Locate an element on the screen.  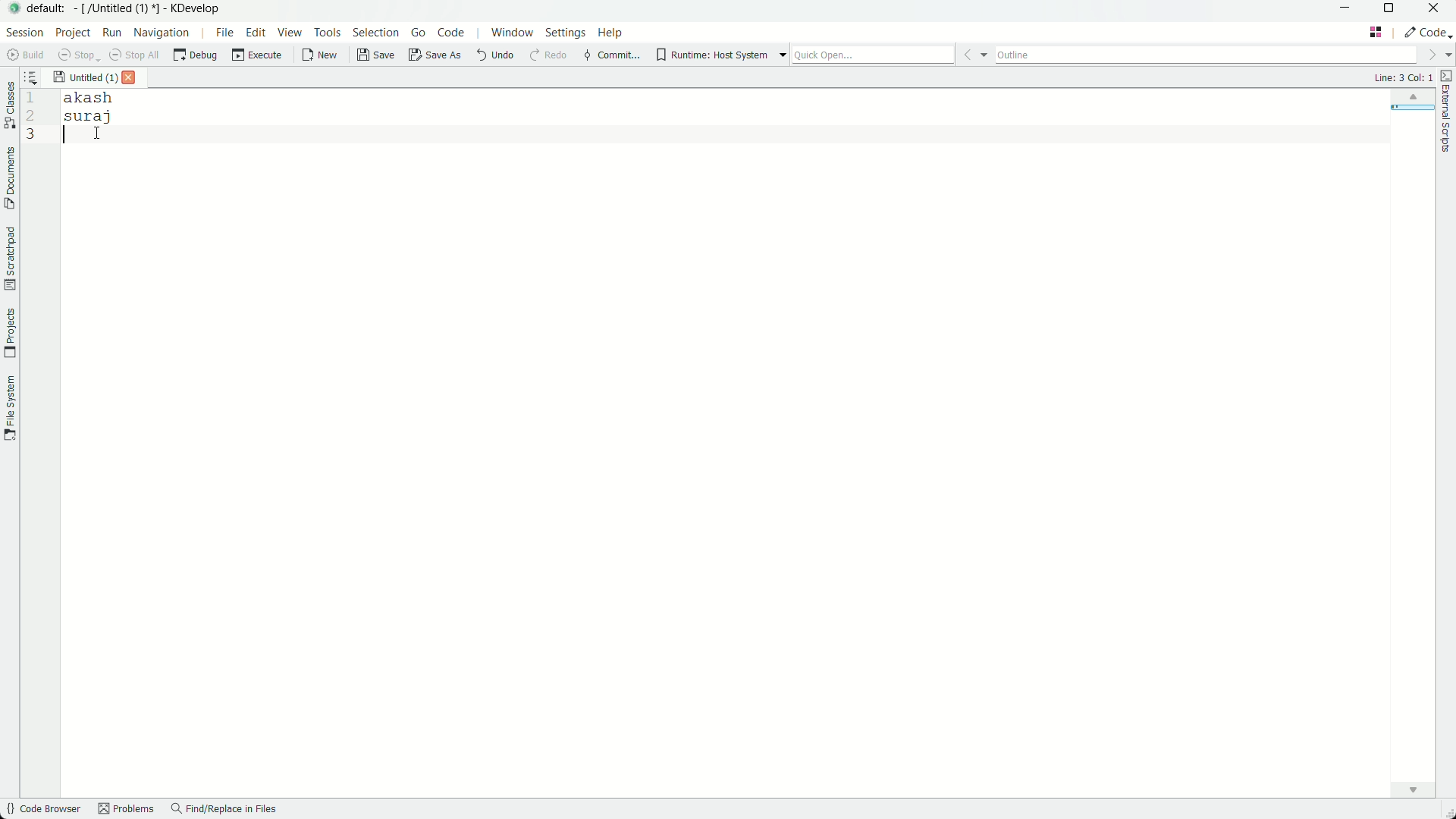
quick open is located at coordinates (890, 54).